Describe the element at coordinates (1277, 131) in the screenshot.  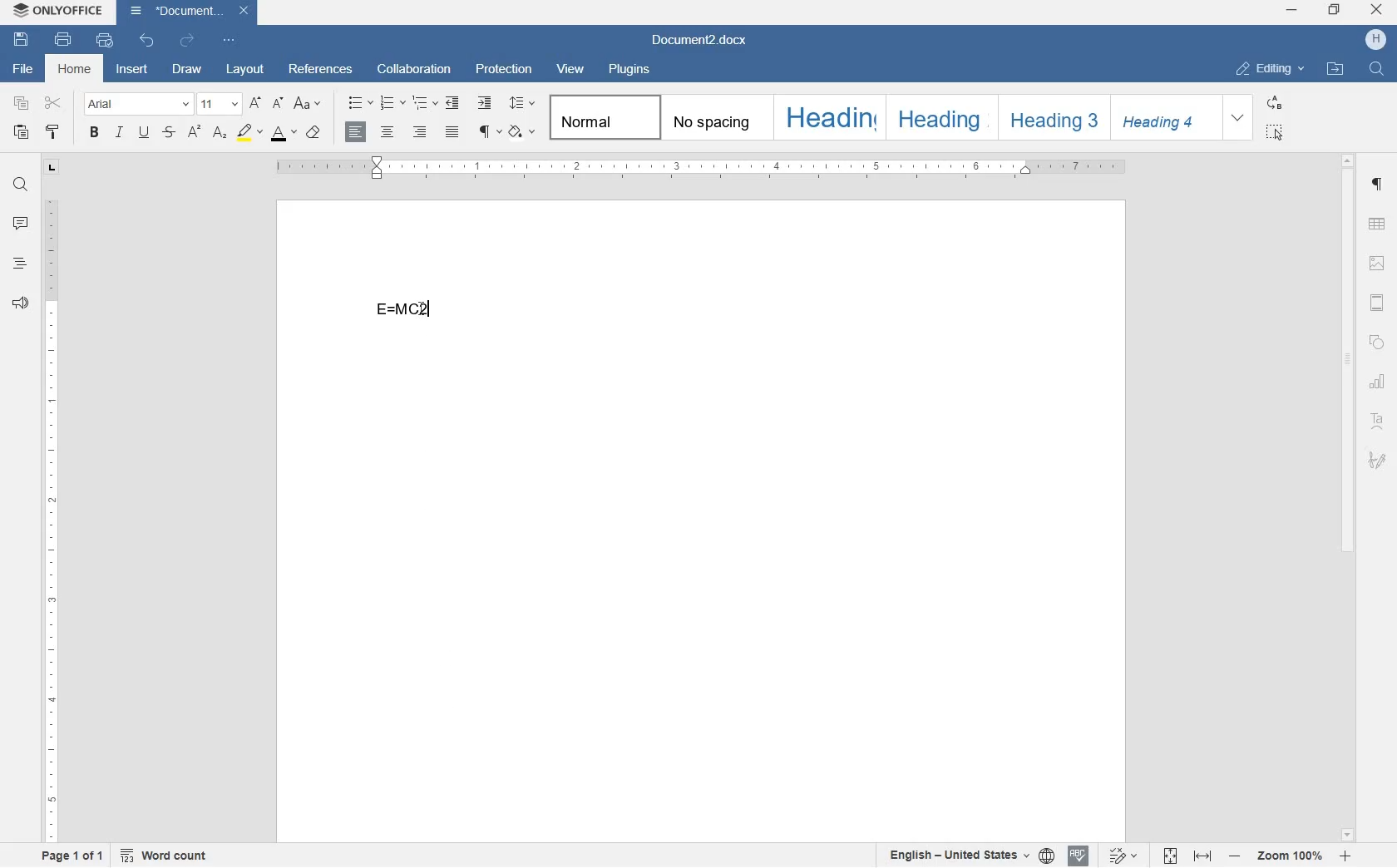
I see `select all` at that location.